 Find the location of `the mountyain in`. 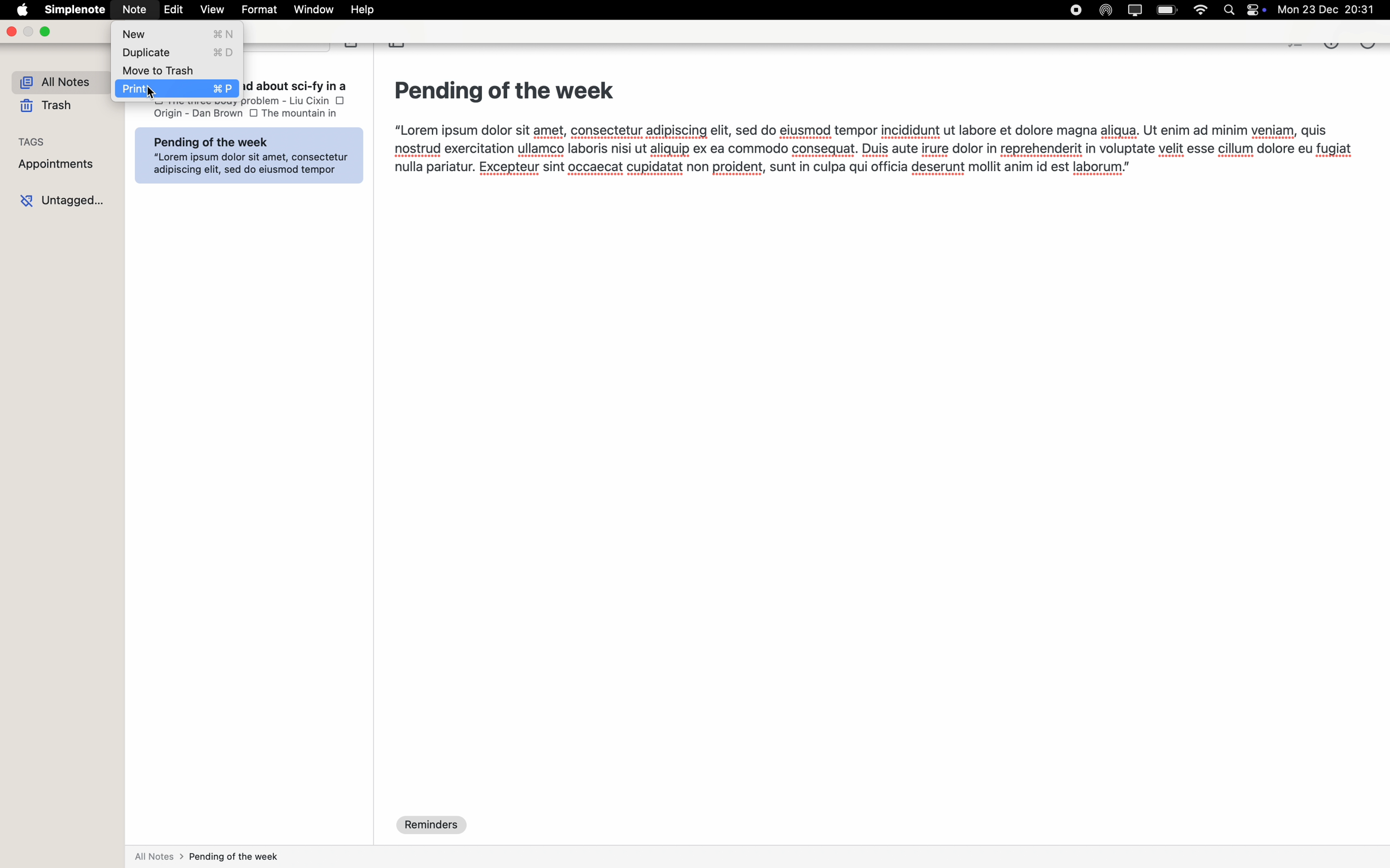

the mountyain in is located at coordinates (312, 113).